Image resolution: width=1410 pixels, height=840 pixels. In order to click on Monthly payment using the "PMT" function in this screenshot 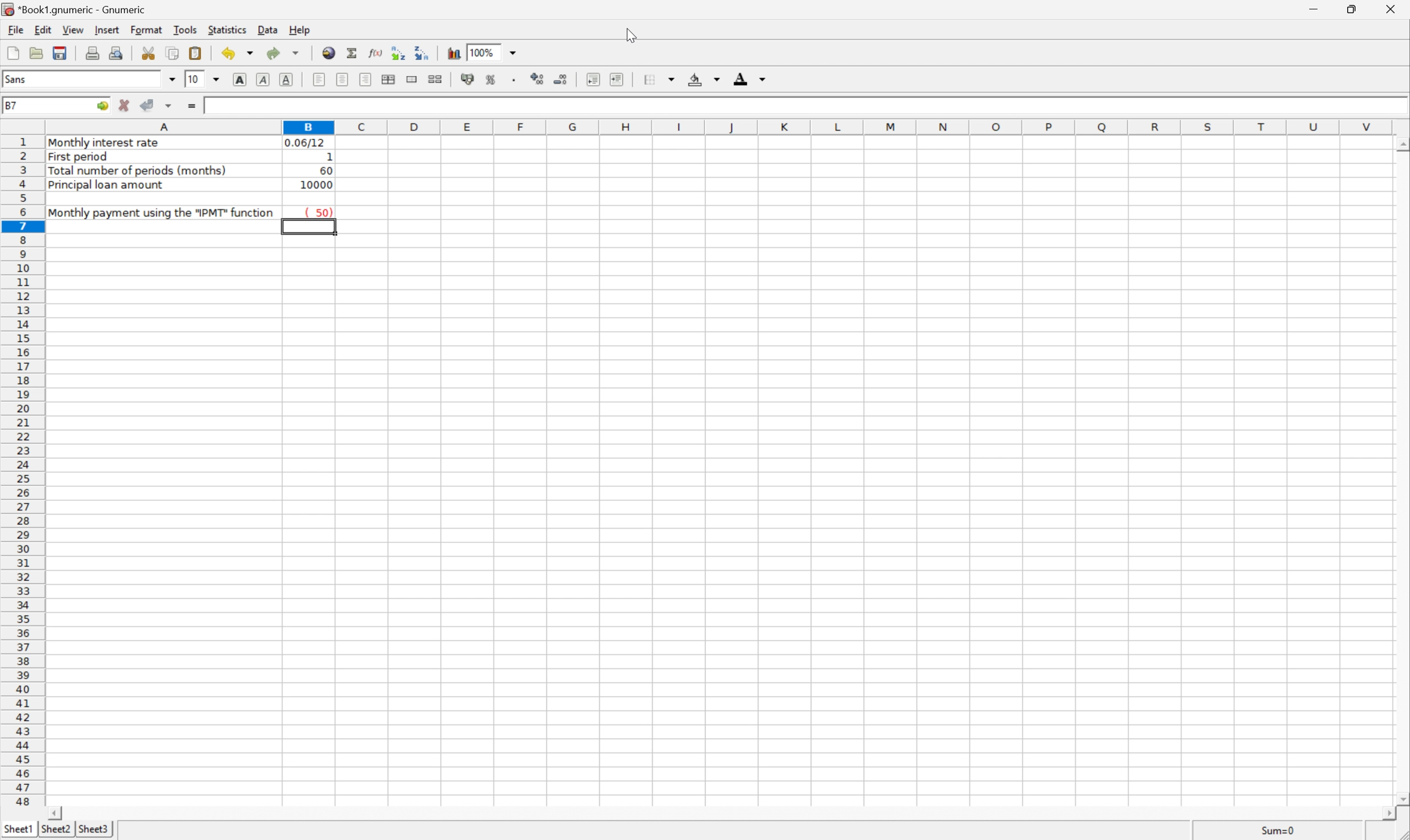, I will do `click(161, 212)`.